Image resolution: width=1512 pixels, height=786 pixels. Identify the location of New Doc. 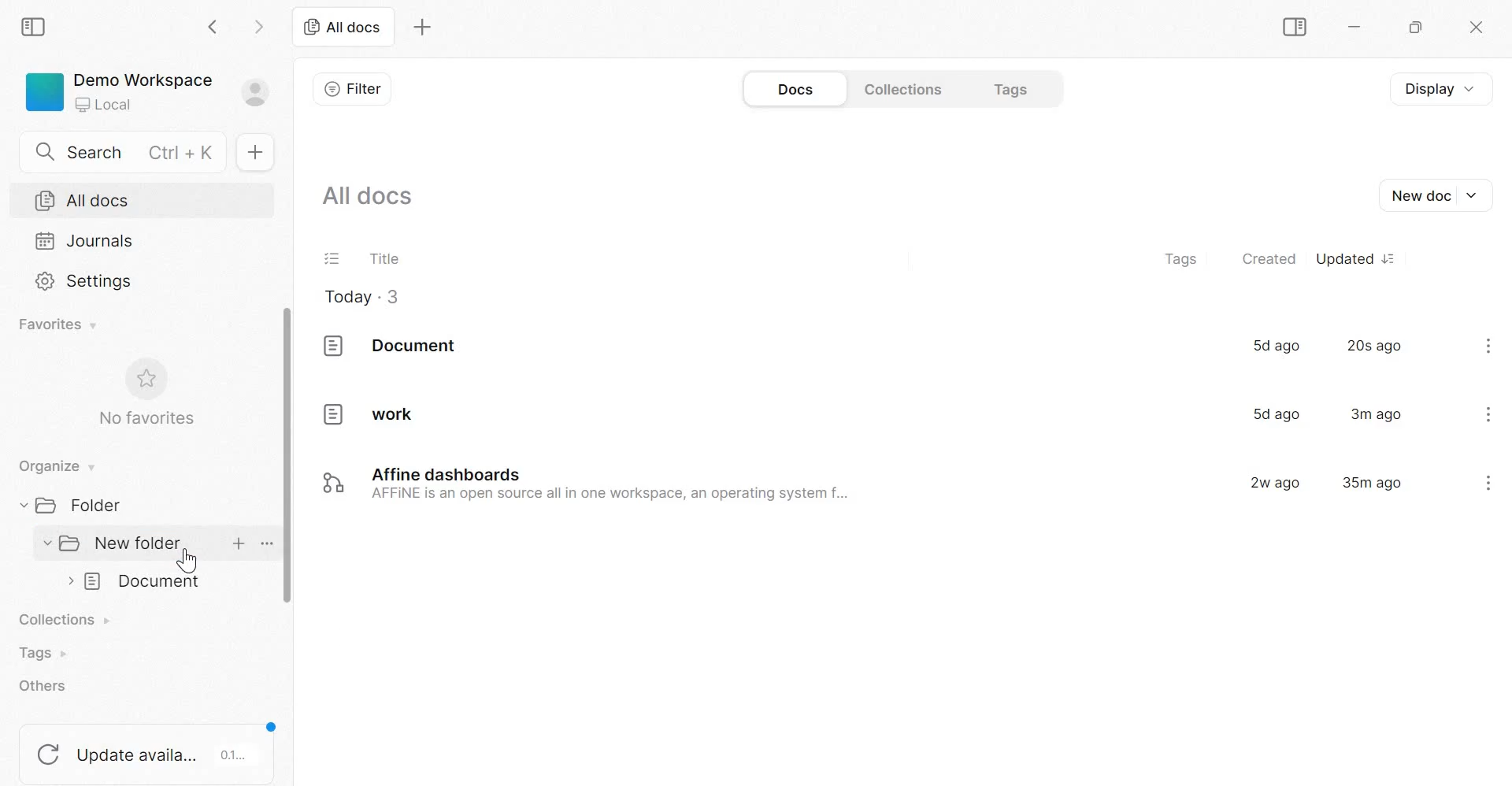
(1443, 195).